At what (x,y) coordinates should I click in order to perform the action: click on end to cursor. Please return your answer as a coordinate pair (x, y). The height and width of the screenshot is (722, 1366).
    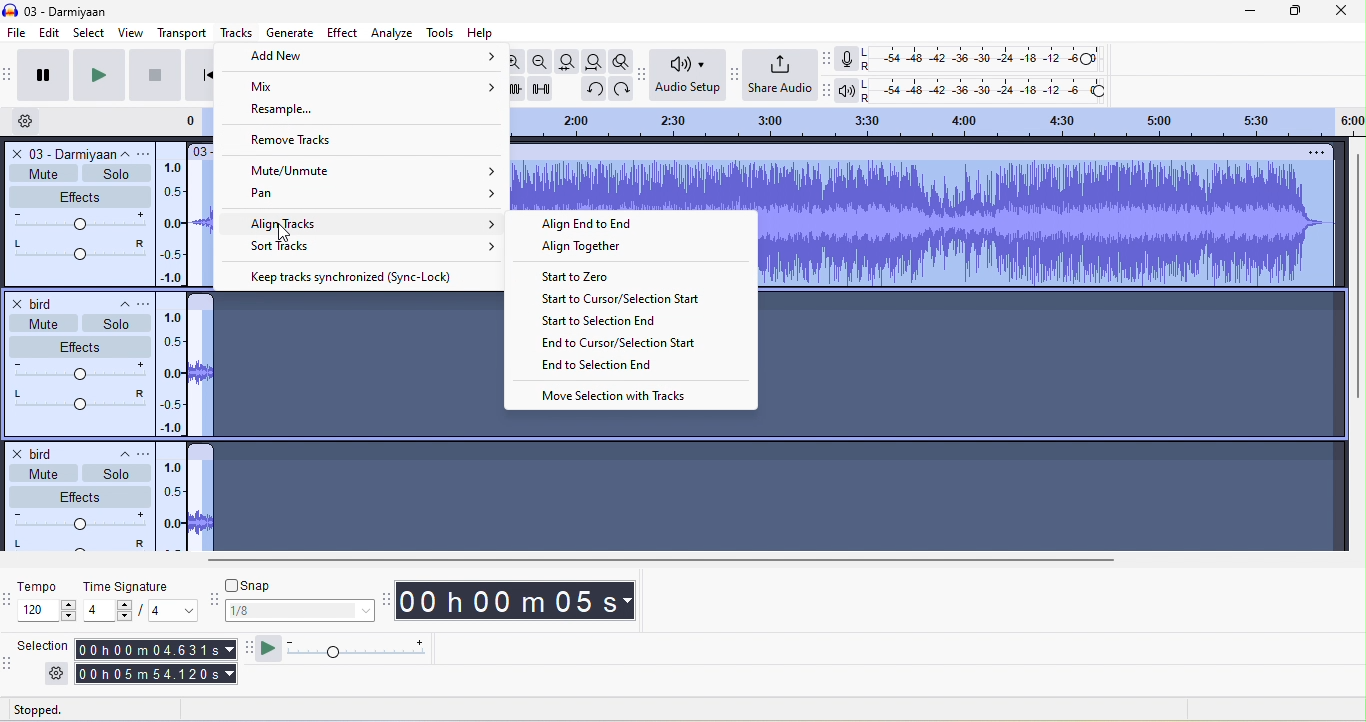
    Looking at the image, I should click on (618, 343).